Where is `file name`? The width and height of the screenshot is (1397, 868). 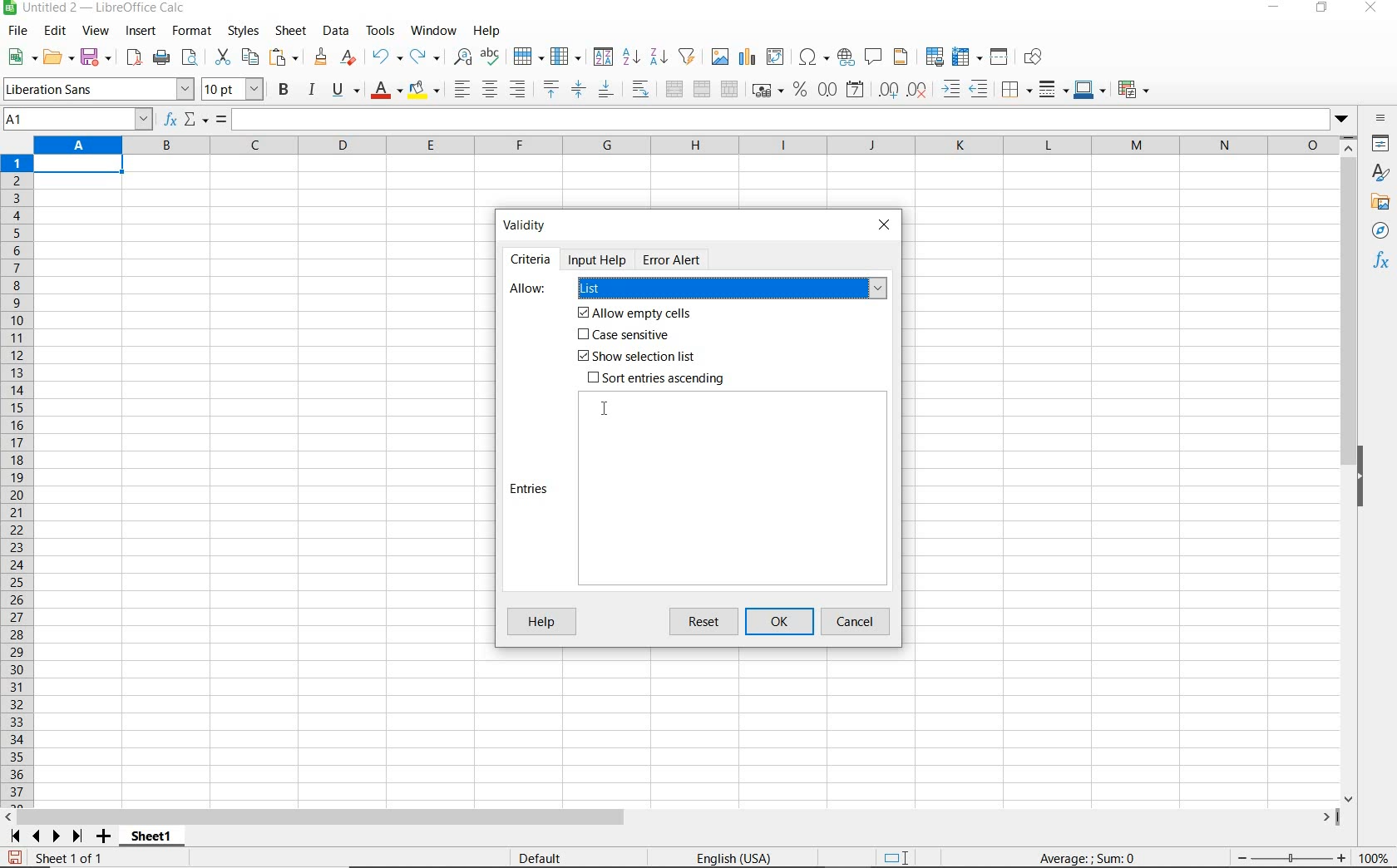
file name is located at coordinates (95, 9).